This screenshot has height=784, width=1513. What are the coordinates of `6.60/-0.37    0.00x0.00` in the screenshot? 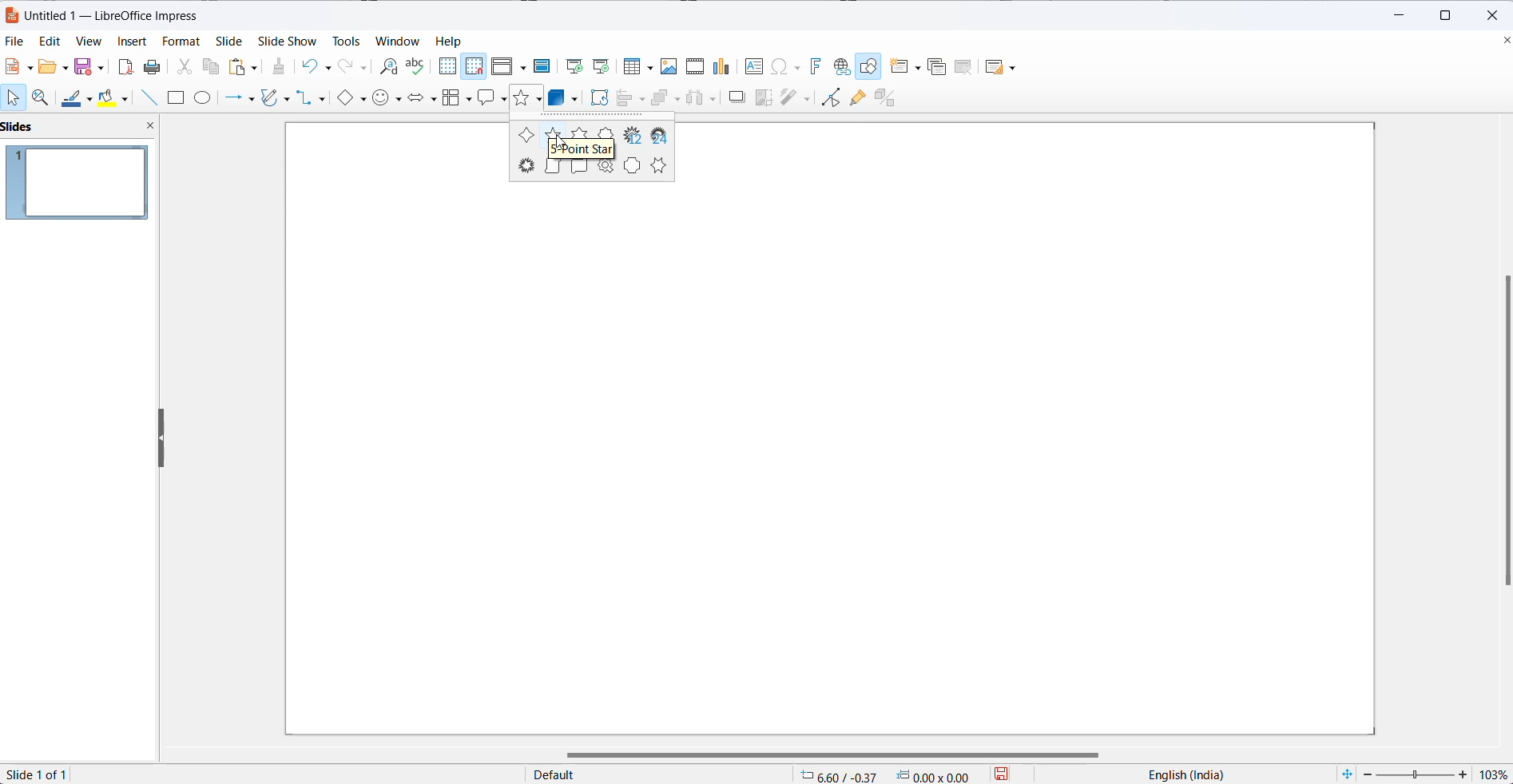 It's located at (887, 776).